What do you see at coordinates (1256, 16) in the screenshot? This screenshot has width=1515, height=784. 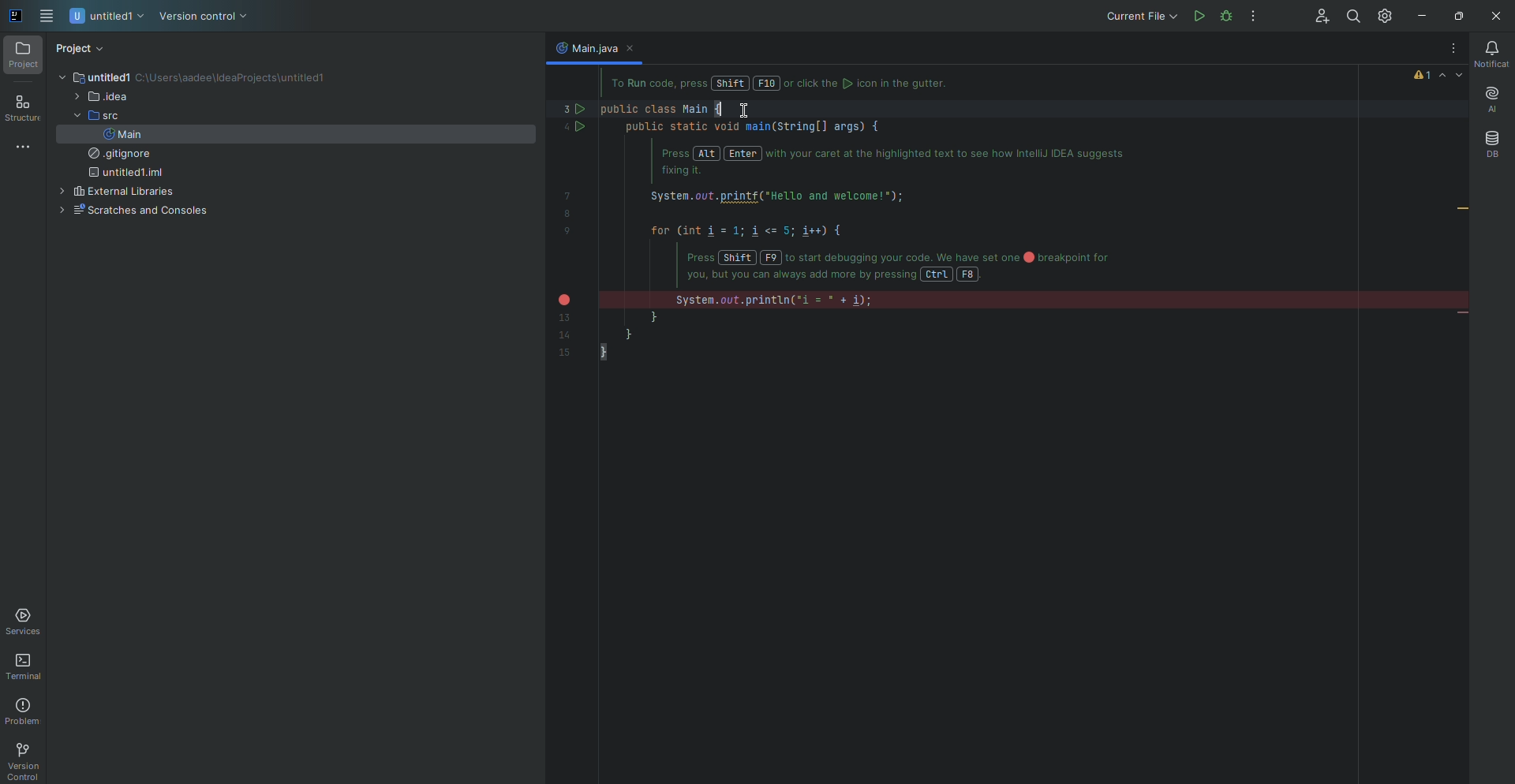 I see `Debug` at bounding box center [1256, 16].